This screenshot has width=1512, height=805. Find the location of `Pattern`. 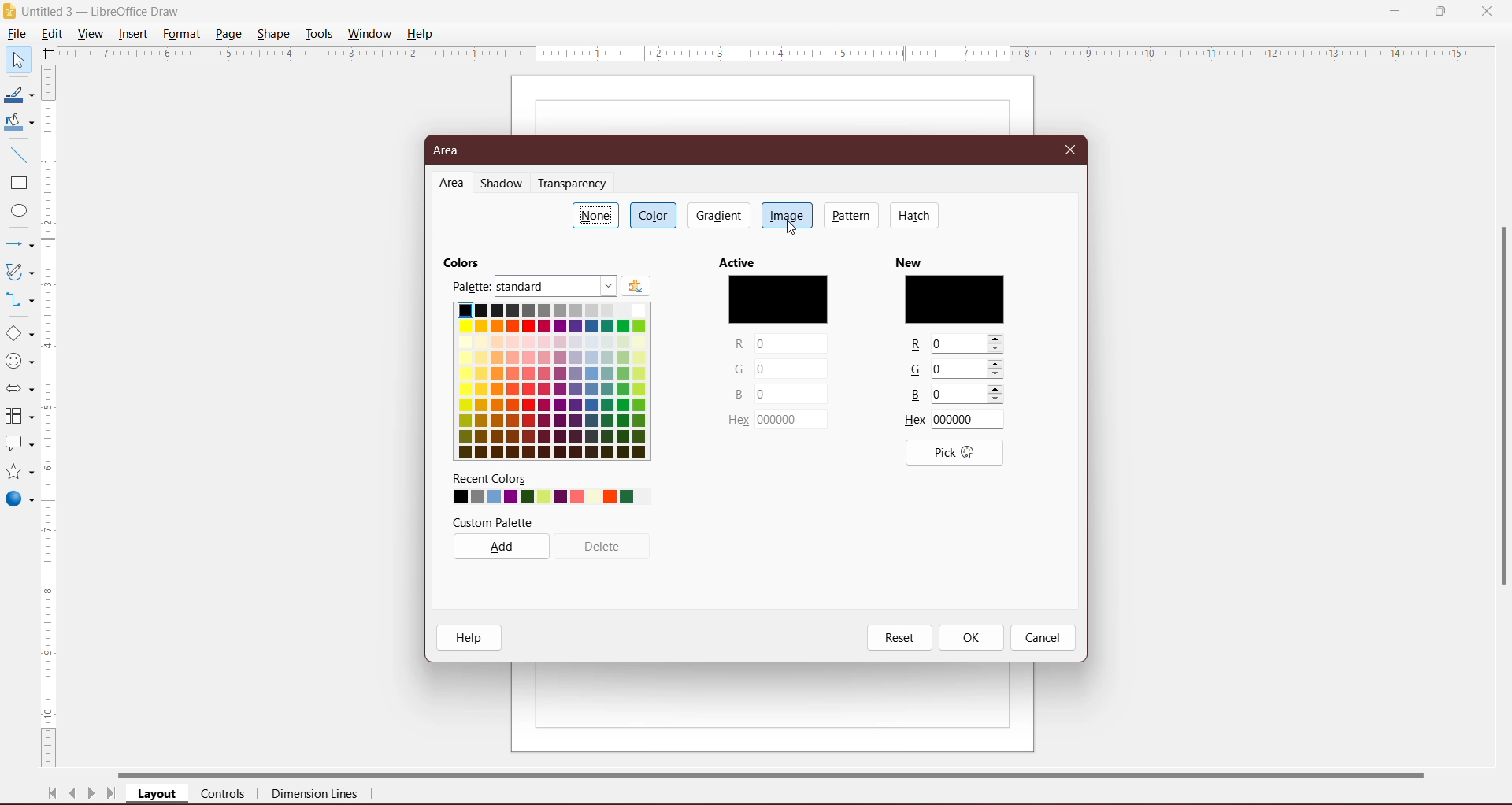

Pattern is located at coordinates (852, 215).